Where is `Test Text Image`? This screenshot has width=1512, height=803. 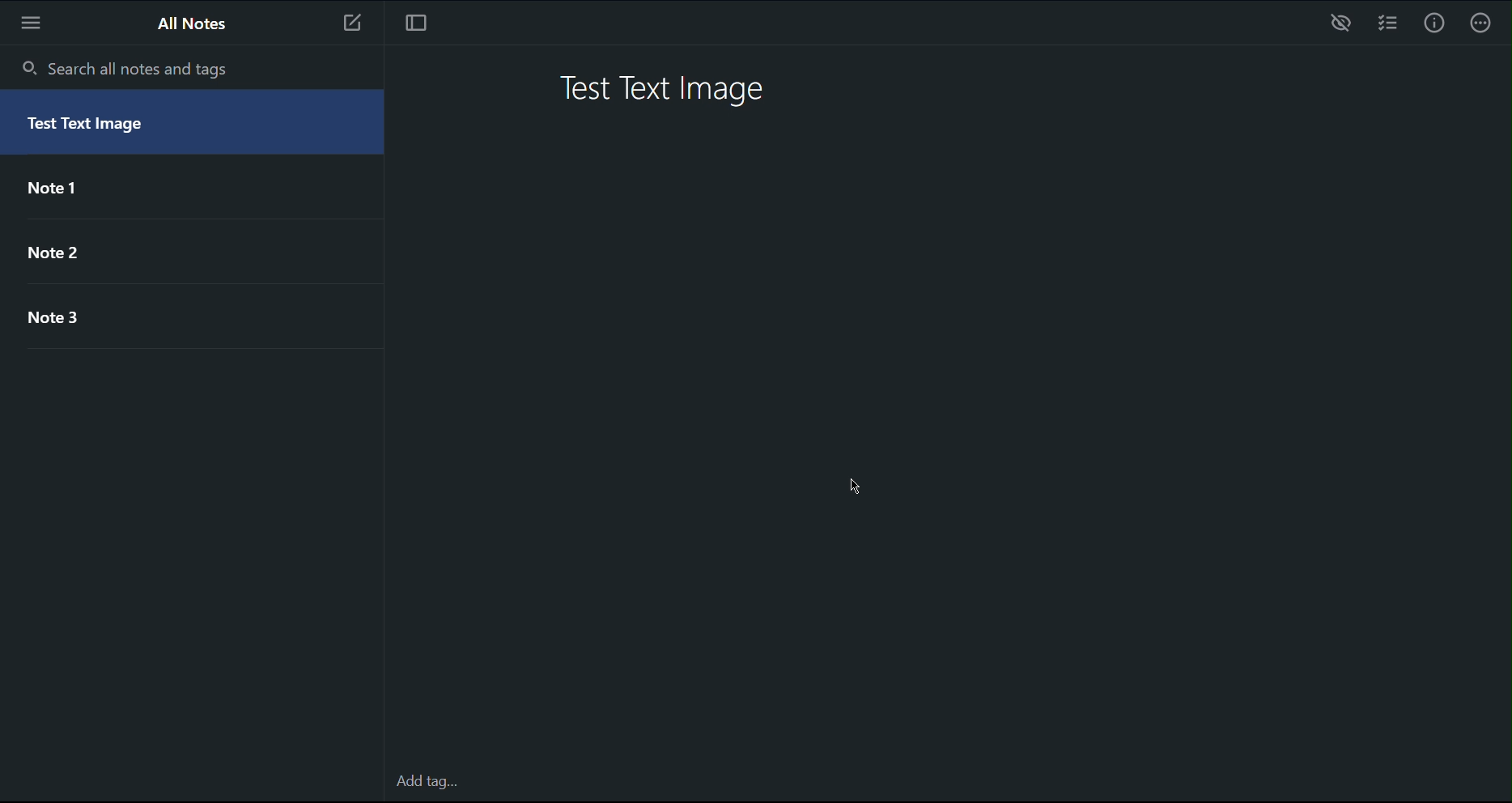
Test Text Image is located at coordinates (667, 89).